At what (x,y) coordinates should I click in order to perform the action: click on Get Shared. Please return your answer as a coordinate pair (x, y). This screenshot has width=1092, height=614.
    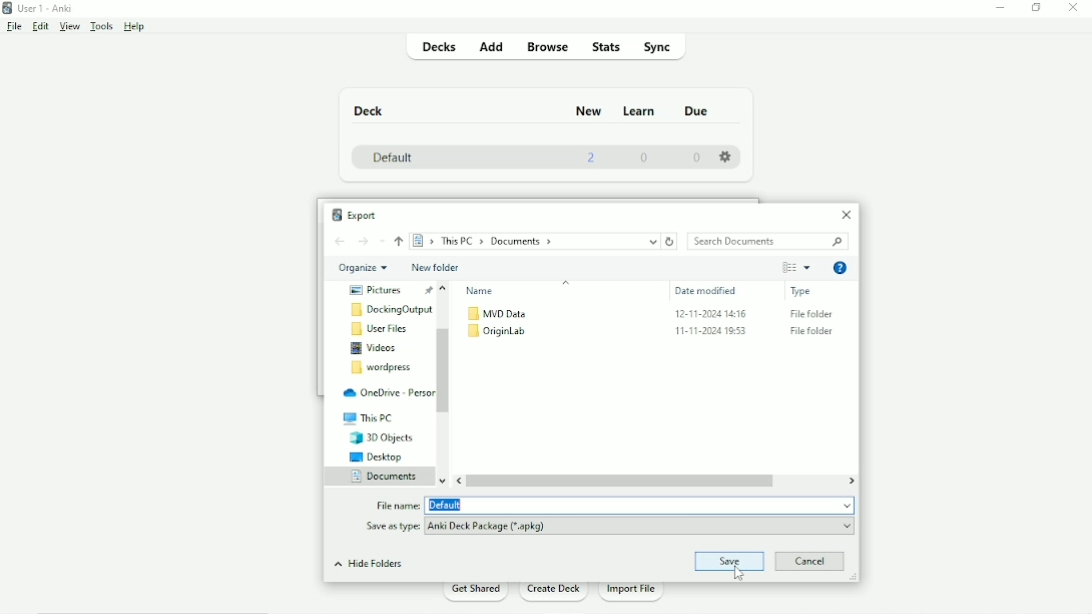
    Looking at the image, I should click on (475, 591).